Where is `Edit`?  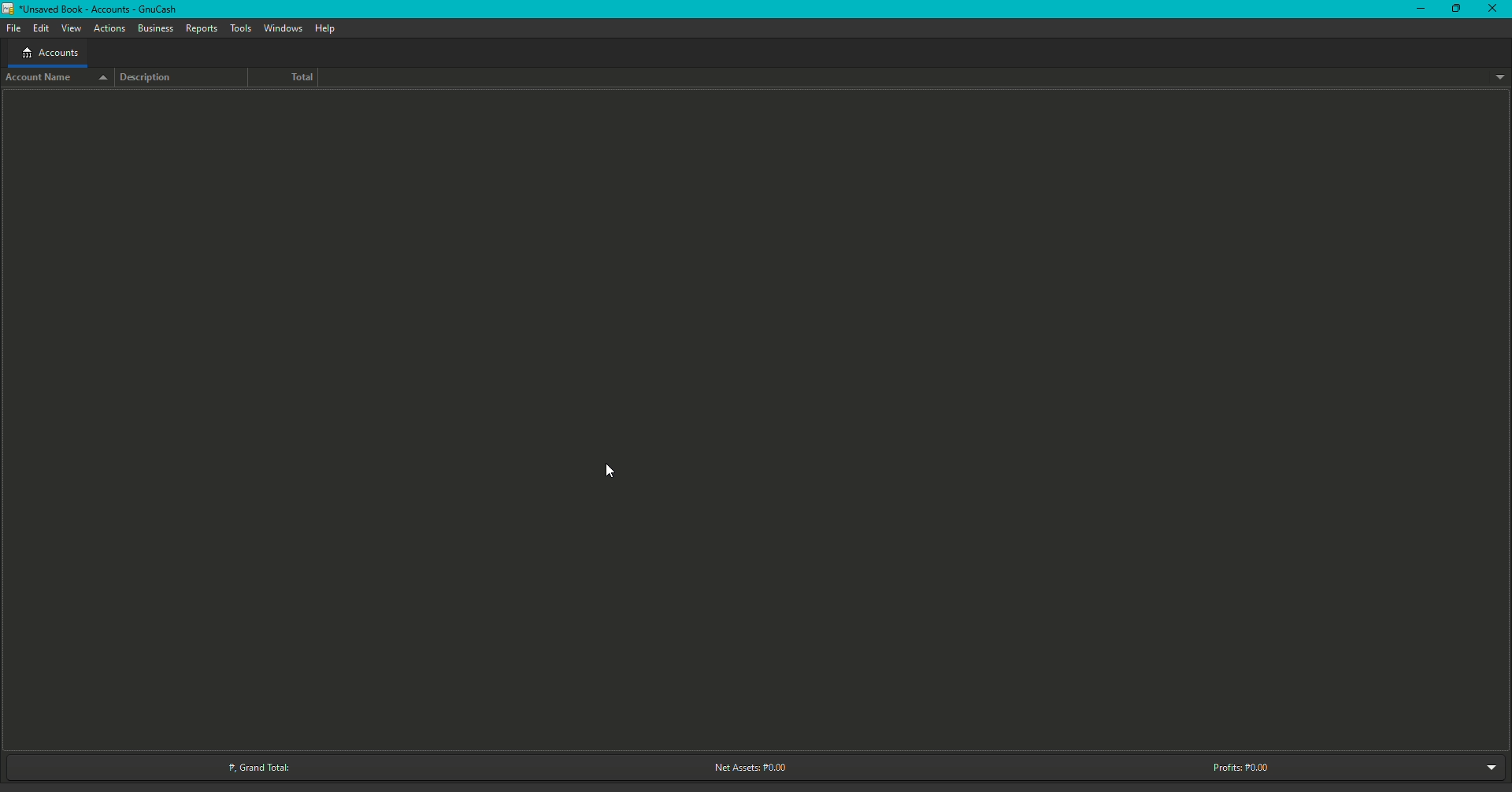 Edit is located at coordinates (39, 28).